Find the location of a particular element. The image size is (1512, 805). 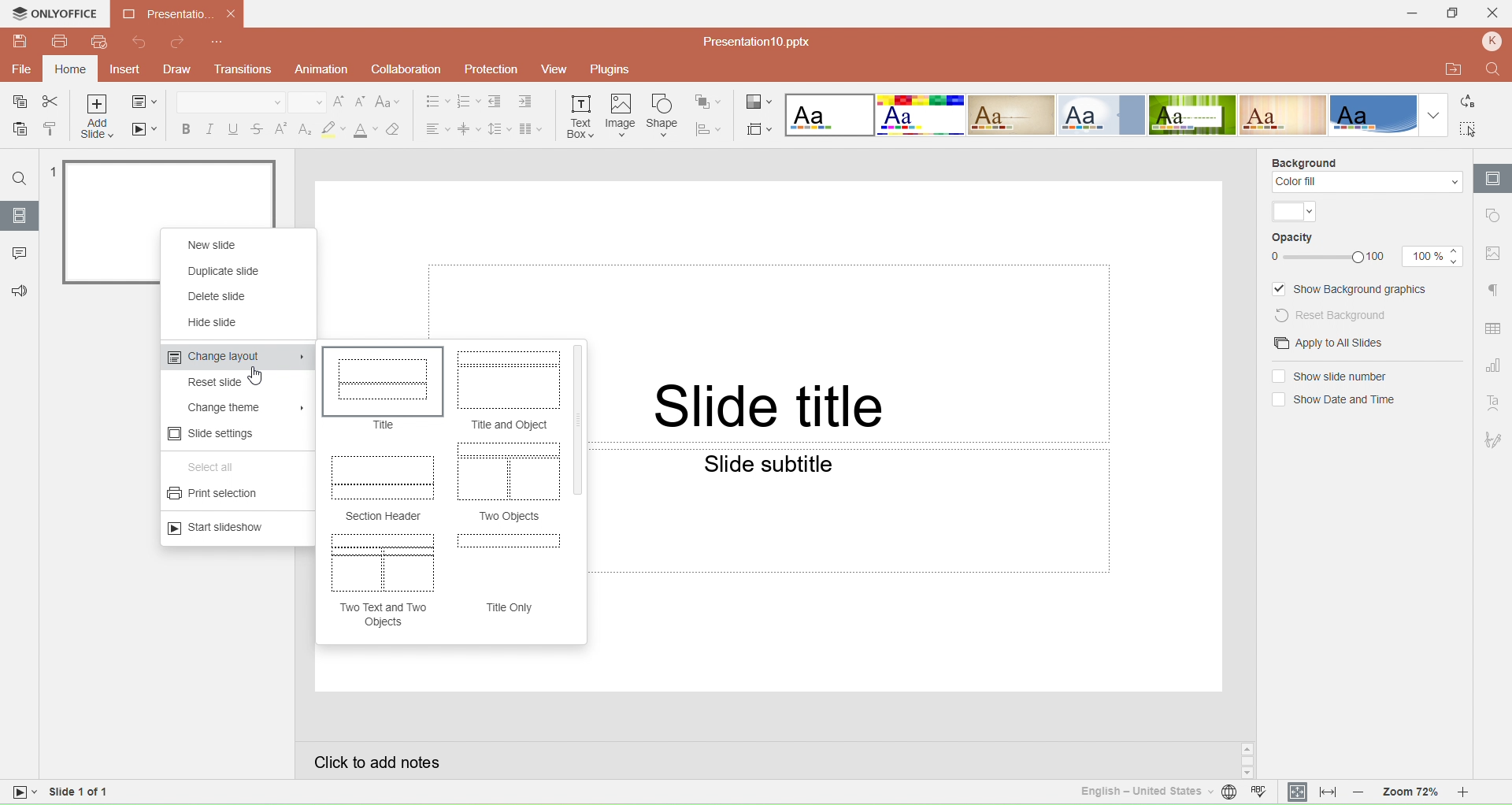

Section header Preview layout is located at coordinates (384, 477).